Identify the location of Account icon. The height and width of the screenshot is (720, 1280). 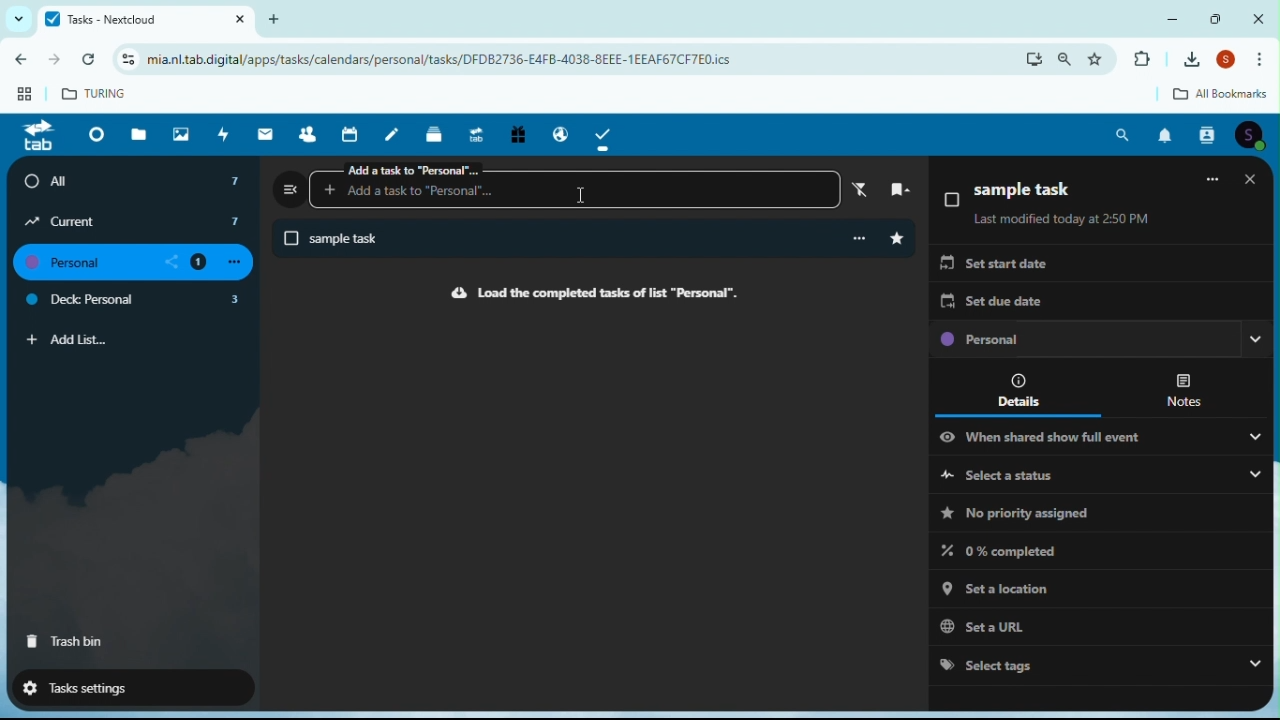
(1230, 61).